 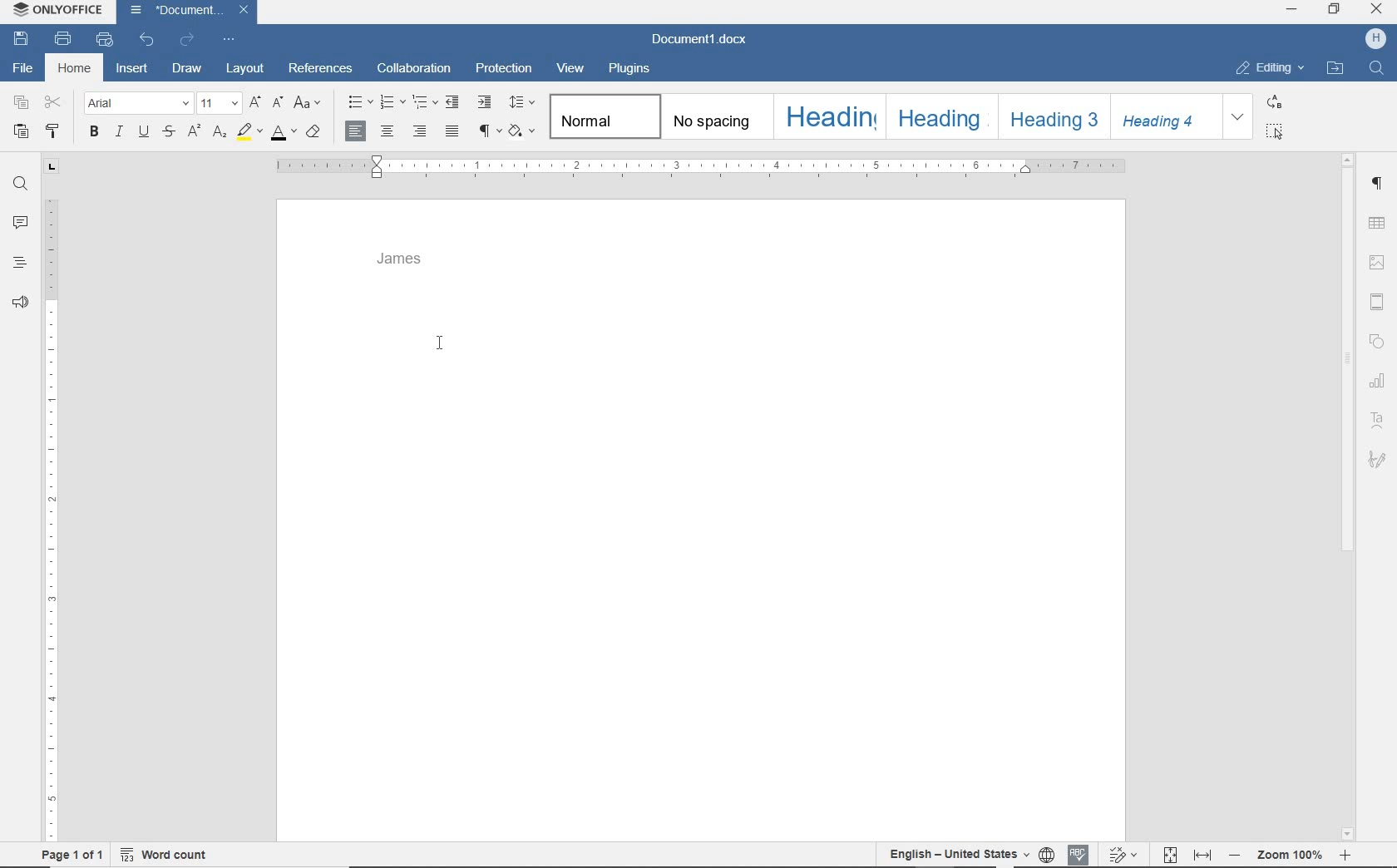 I want to click on fit to width, so click(x=1203, y=855).